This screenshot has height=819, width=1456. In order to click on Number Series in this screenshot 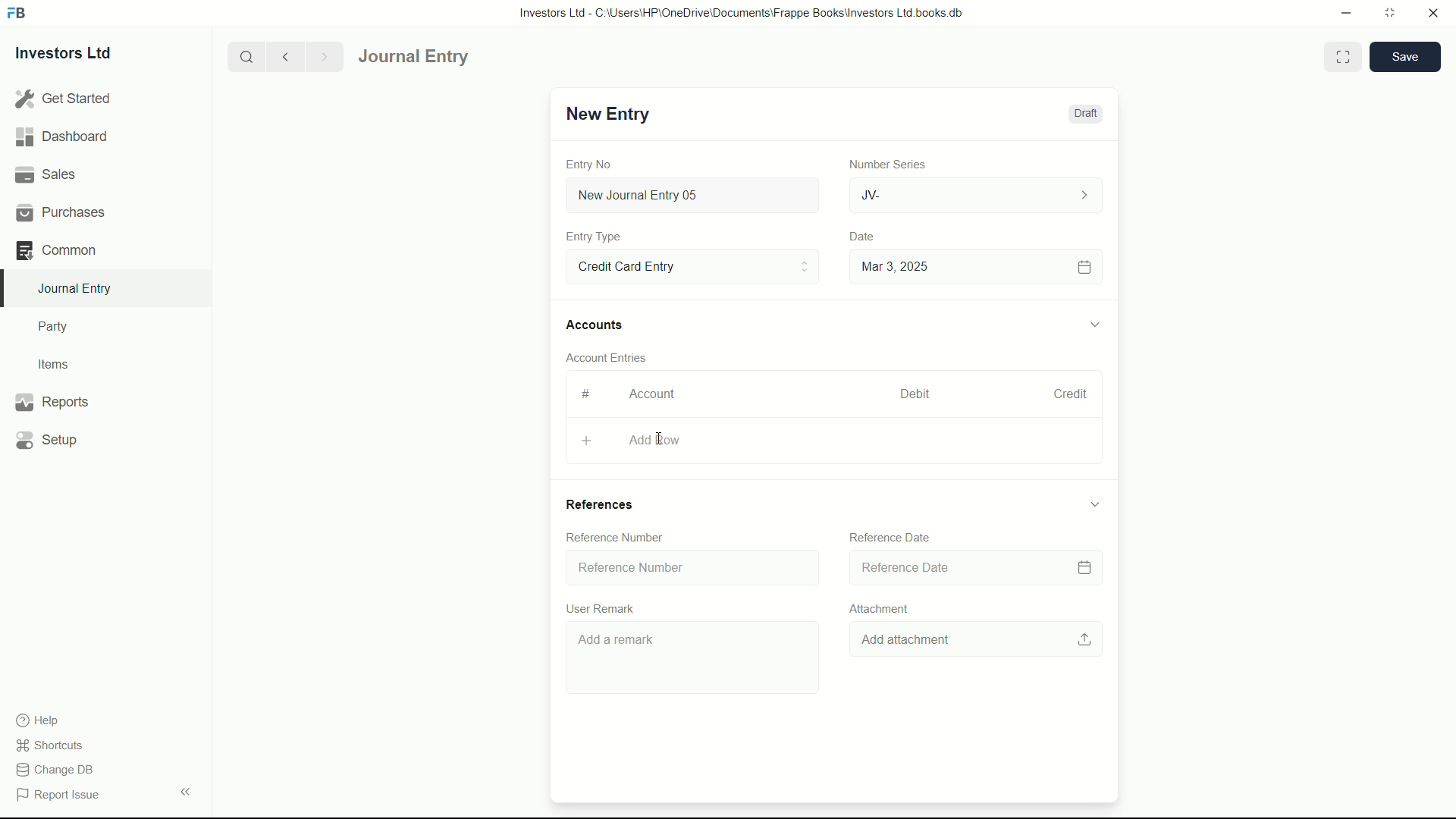, I will do `click(881, 163)`.